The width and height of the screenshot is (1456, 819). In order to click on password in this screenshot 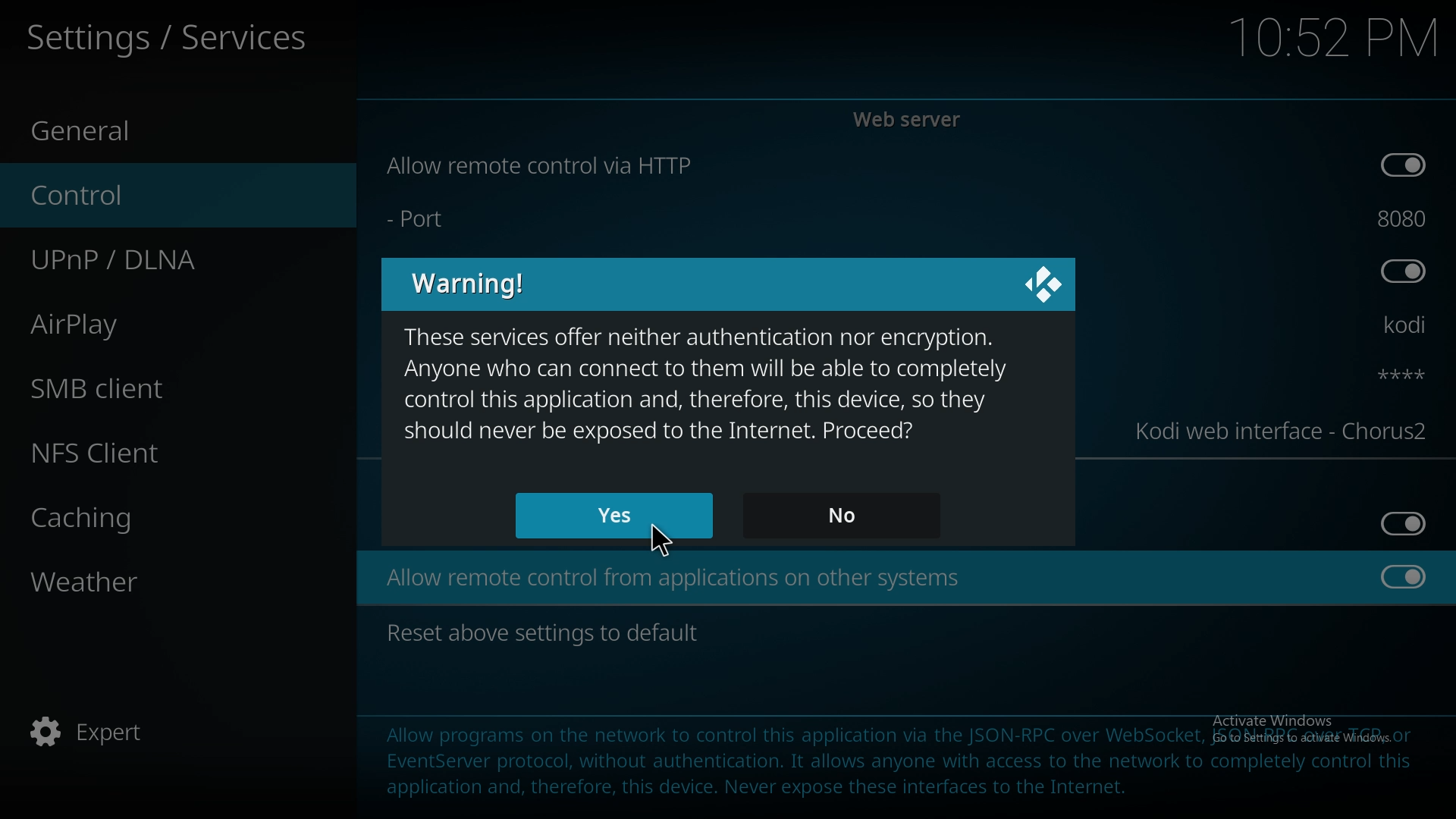, I will do `click(1389, 374)`.